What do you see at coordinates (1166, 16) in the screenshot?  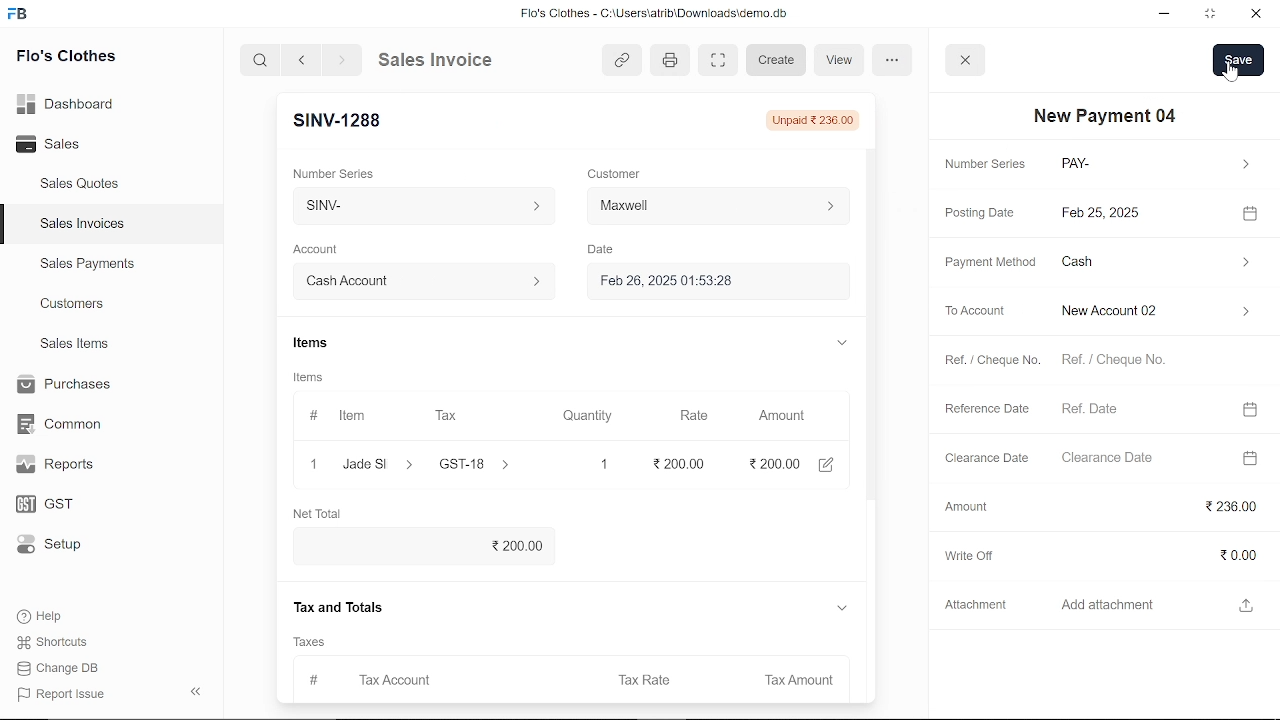 I see `minimize` at bounding box center [1166, 16].